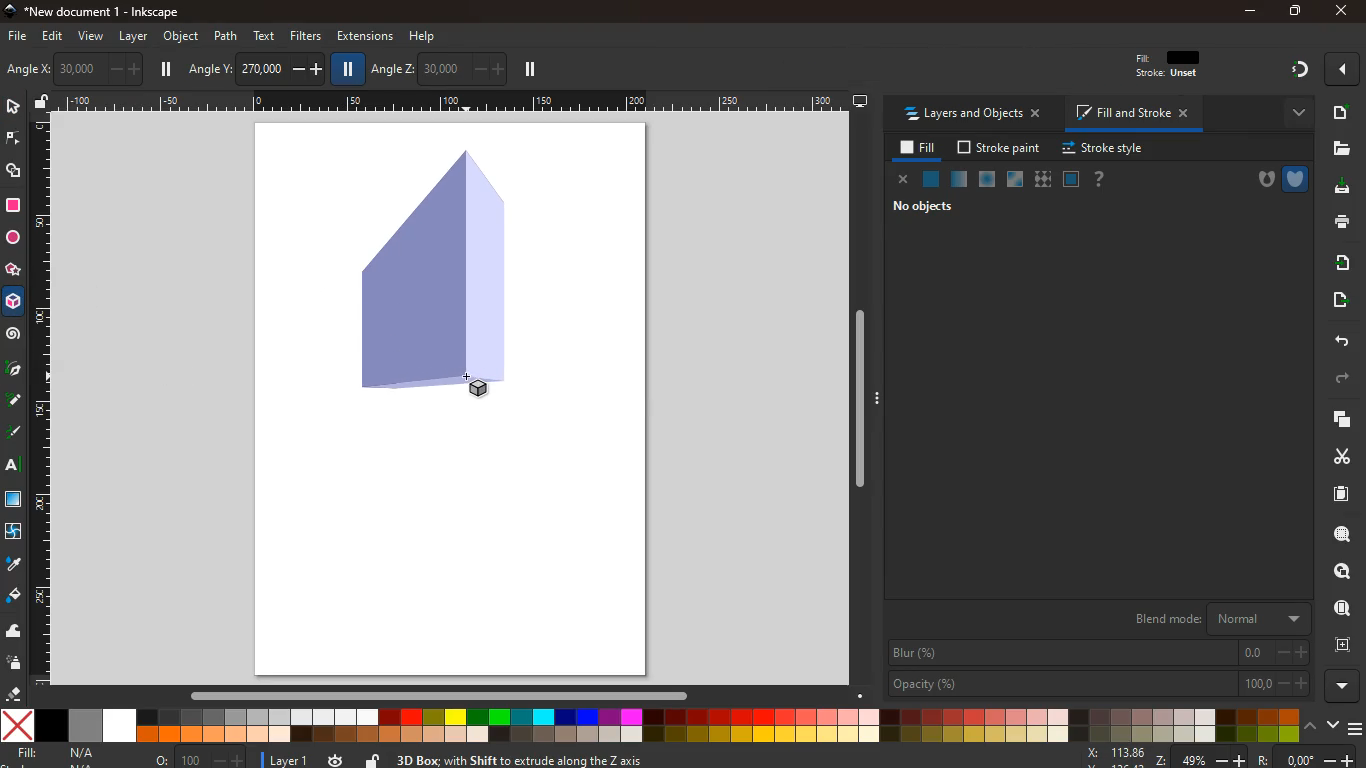  I want to click on new, so click(1340, 112).